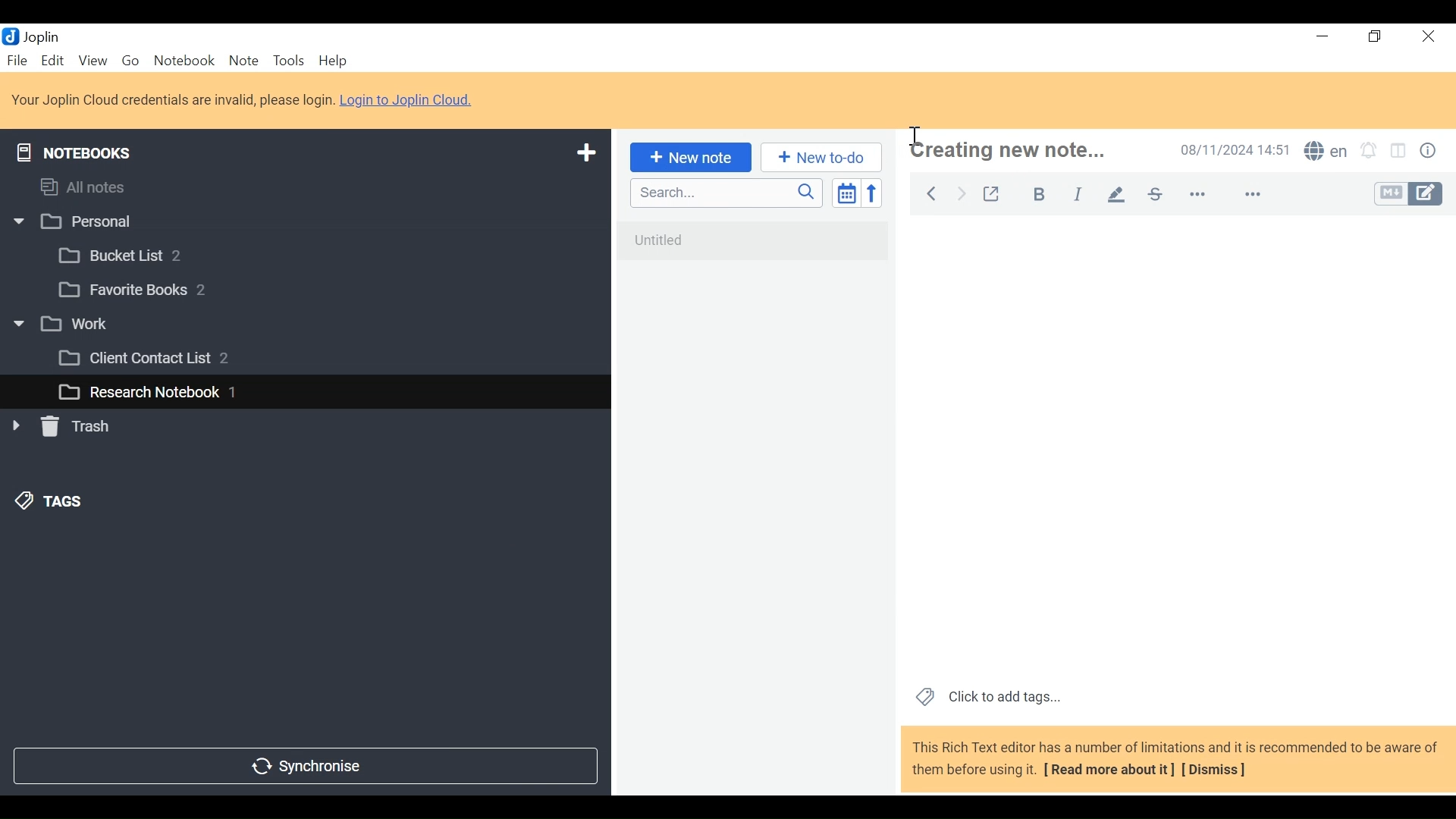  What do you see at coordinates (930, 191) in the screenshot?
I see `Back` at bounding box center [930, 191].